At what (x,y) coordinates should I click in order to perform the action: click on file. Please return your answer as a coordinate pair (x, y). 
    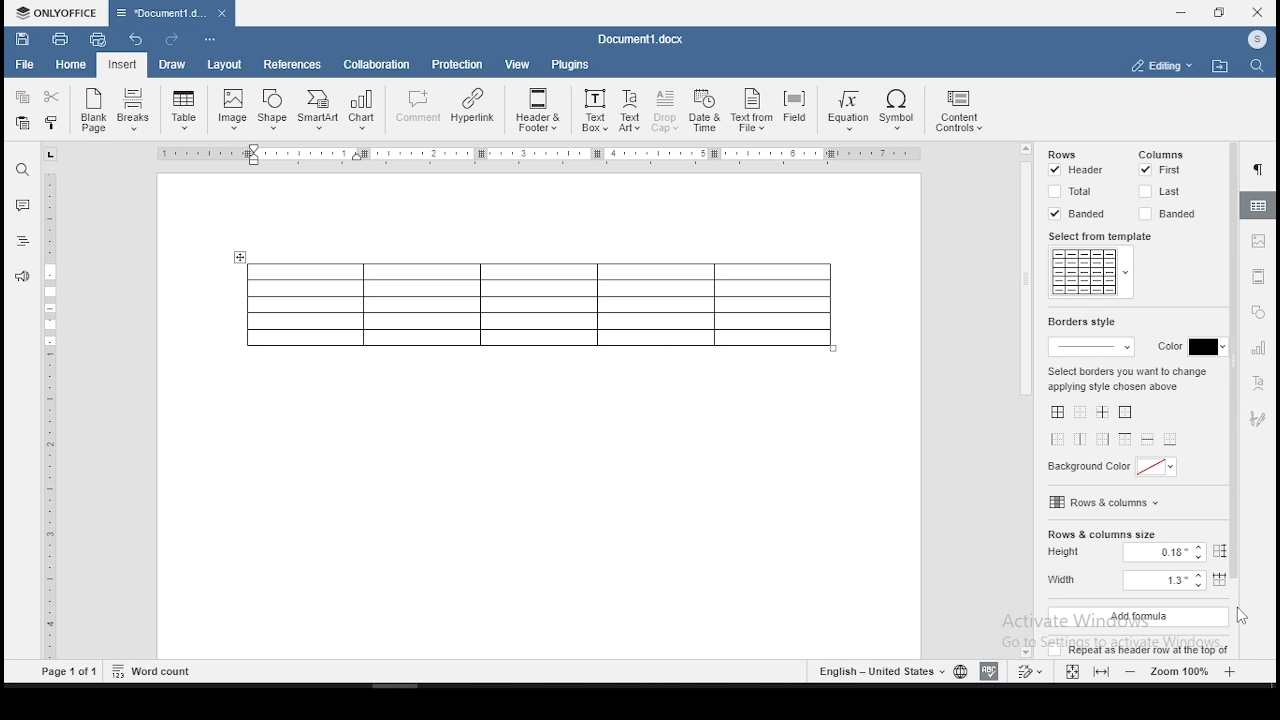
    Looking at the image, I should click on (27, 66).